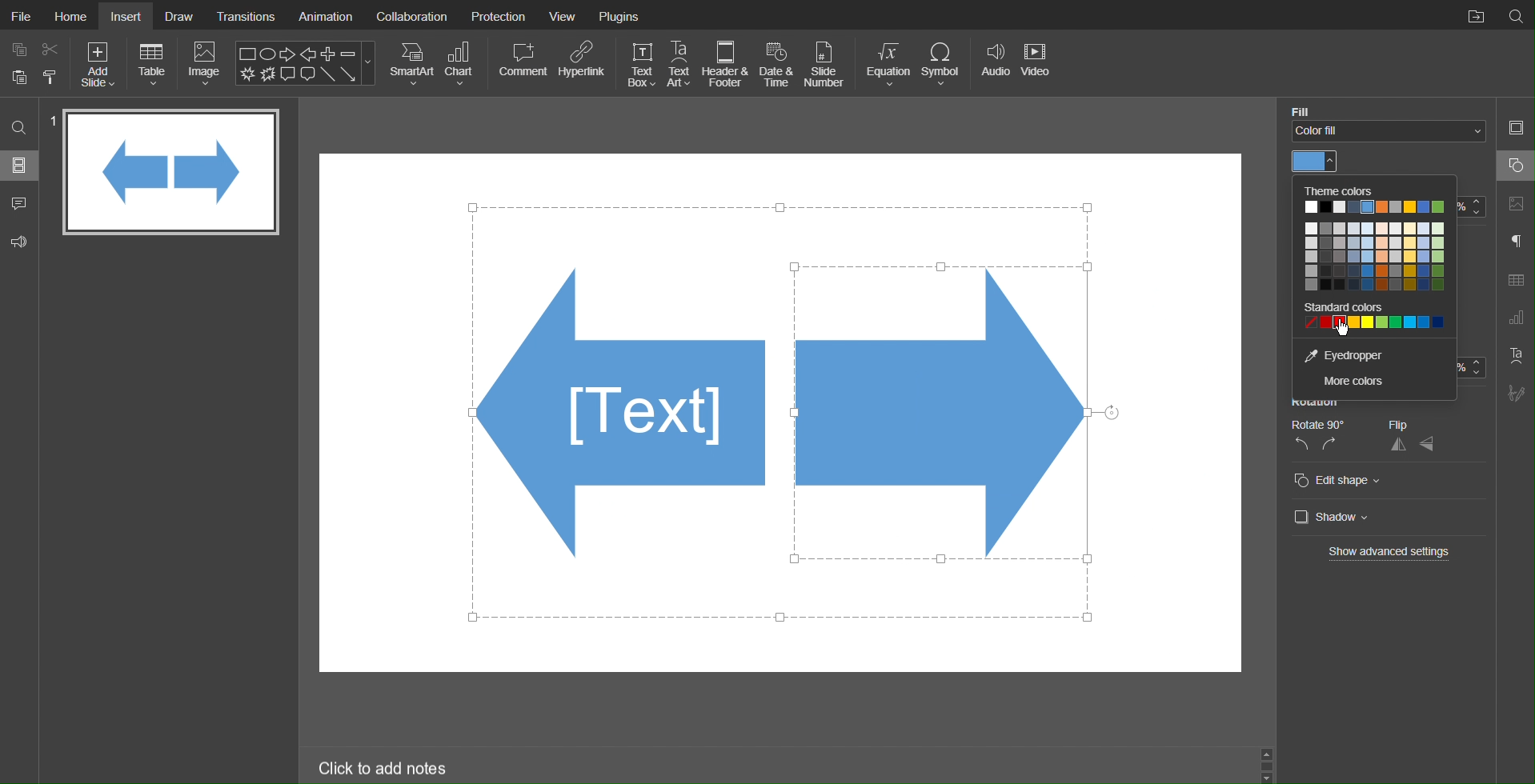 The width and height of the screenshot is (1535, 784). Describe the element at coordinates (617, 422) in the screenshot. I see `Shapes` at that location.